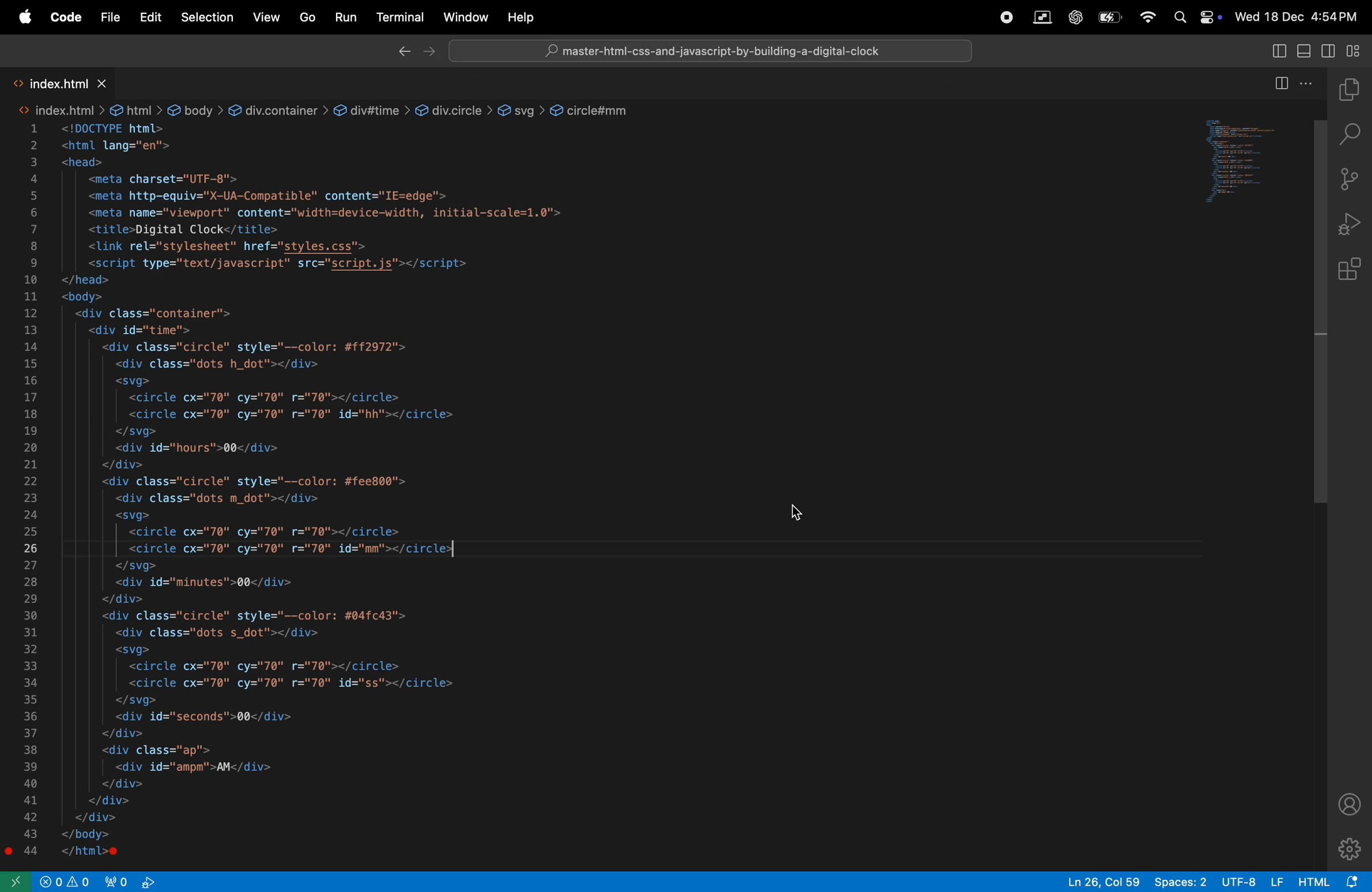 This screenshot has height=892, width=1372. I want to click on toggle panel, so click(1306, 50).